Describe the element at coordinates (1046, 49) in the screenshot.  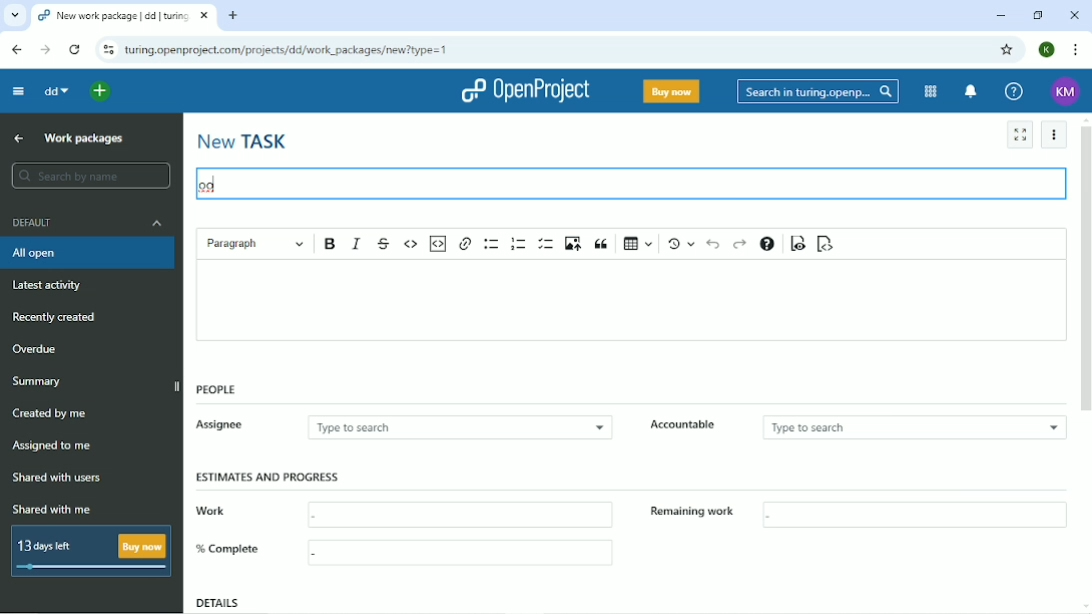
I see `K` at that location.